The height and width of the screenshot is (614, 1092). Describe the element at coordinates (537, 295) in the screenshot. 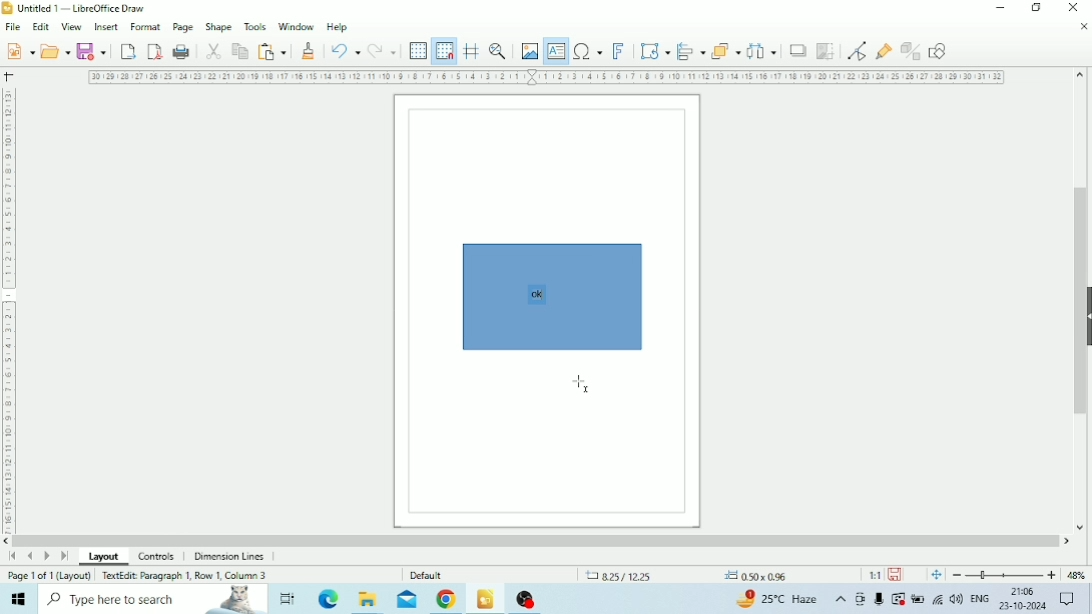

I see `Text` at that location.